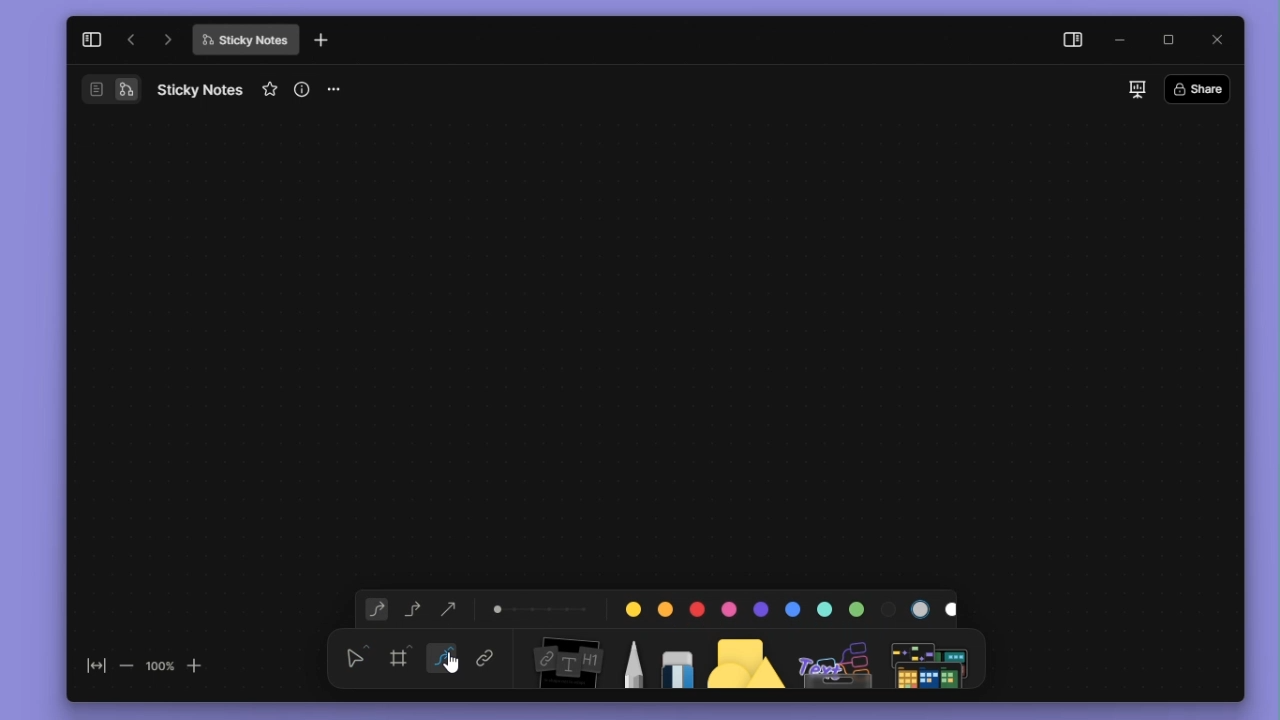 The width and height of the screenshot is (1280, 720). Describe the element at coordinates (632, 657) in the screenshot. I see `pen` at that location.